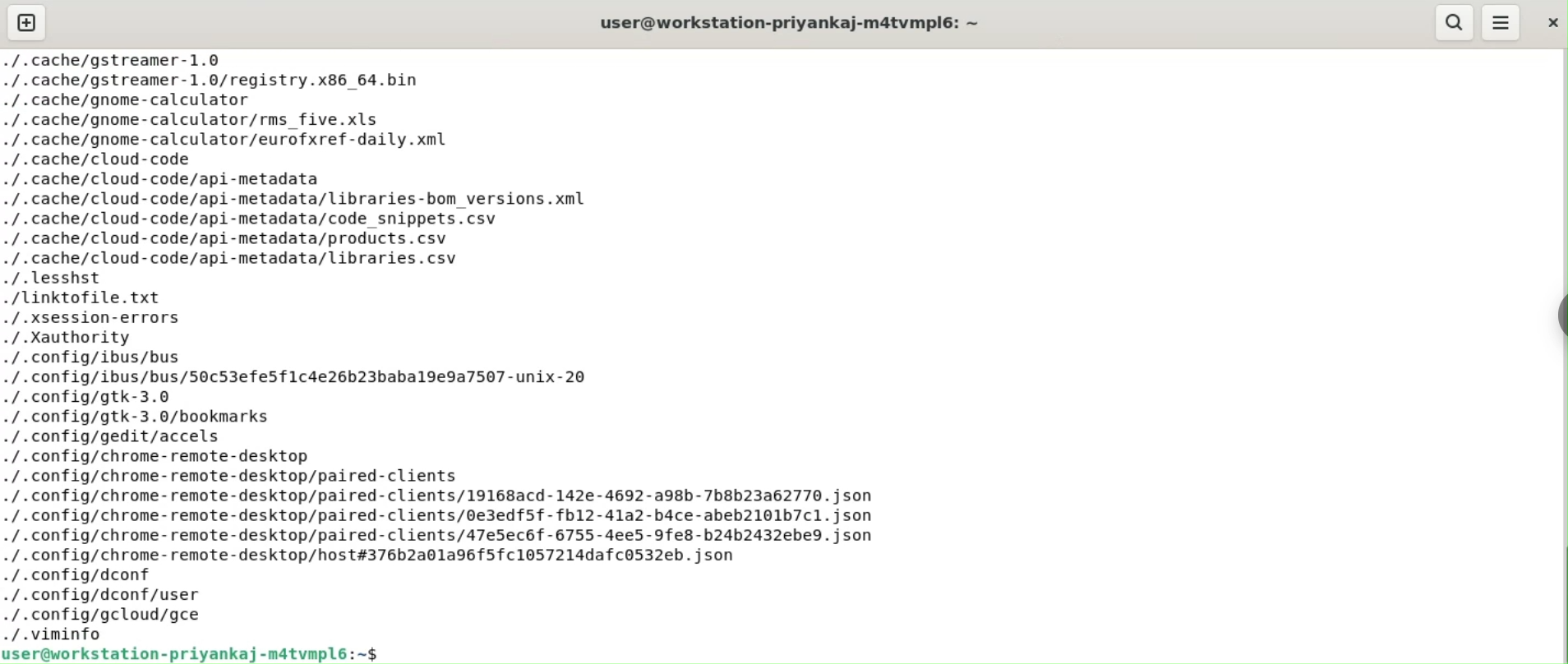 This screenshot has width=1568, height=664. What do you see at coordinates (1454, 21) in the screenshot?
I see `search` at bounding box center [1454, 21].